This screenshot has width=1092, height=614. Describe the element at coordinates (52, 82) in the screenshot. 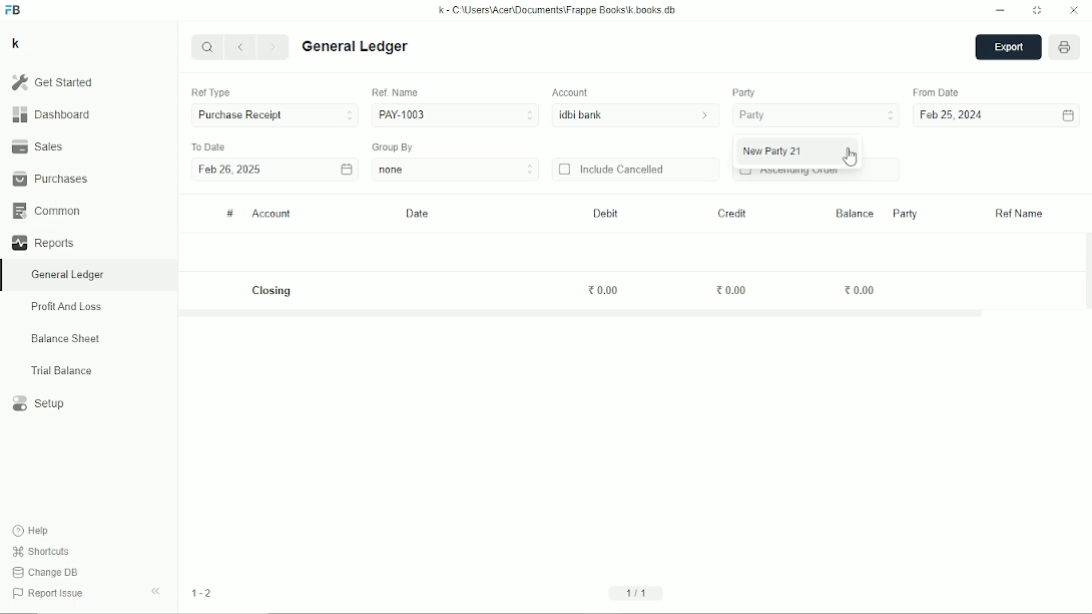

I see `Get started` at that location.